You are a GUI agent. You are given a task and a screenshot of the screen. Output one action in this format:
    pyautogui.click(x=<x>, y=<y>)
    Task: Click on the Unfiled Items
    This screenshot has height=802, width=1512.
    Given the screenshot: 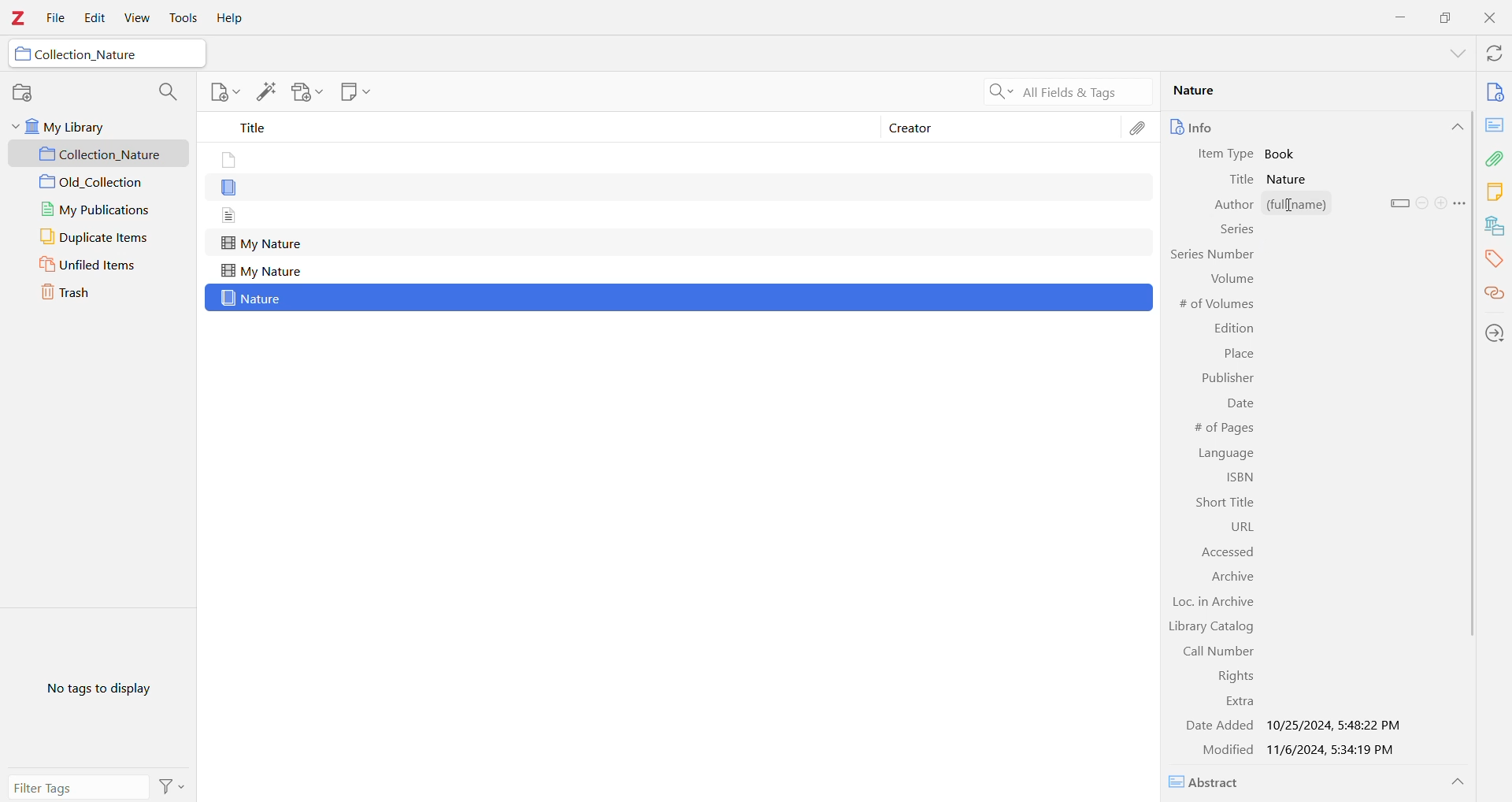 What is the action you would take?
    pyautogui.click(x=98, y=265)
    